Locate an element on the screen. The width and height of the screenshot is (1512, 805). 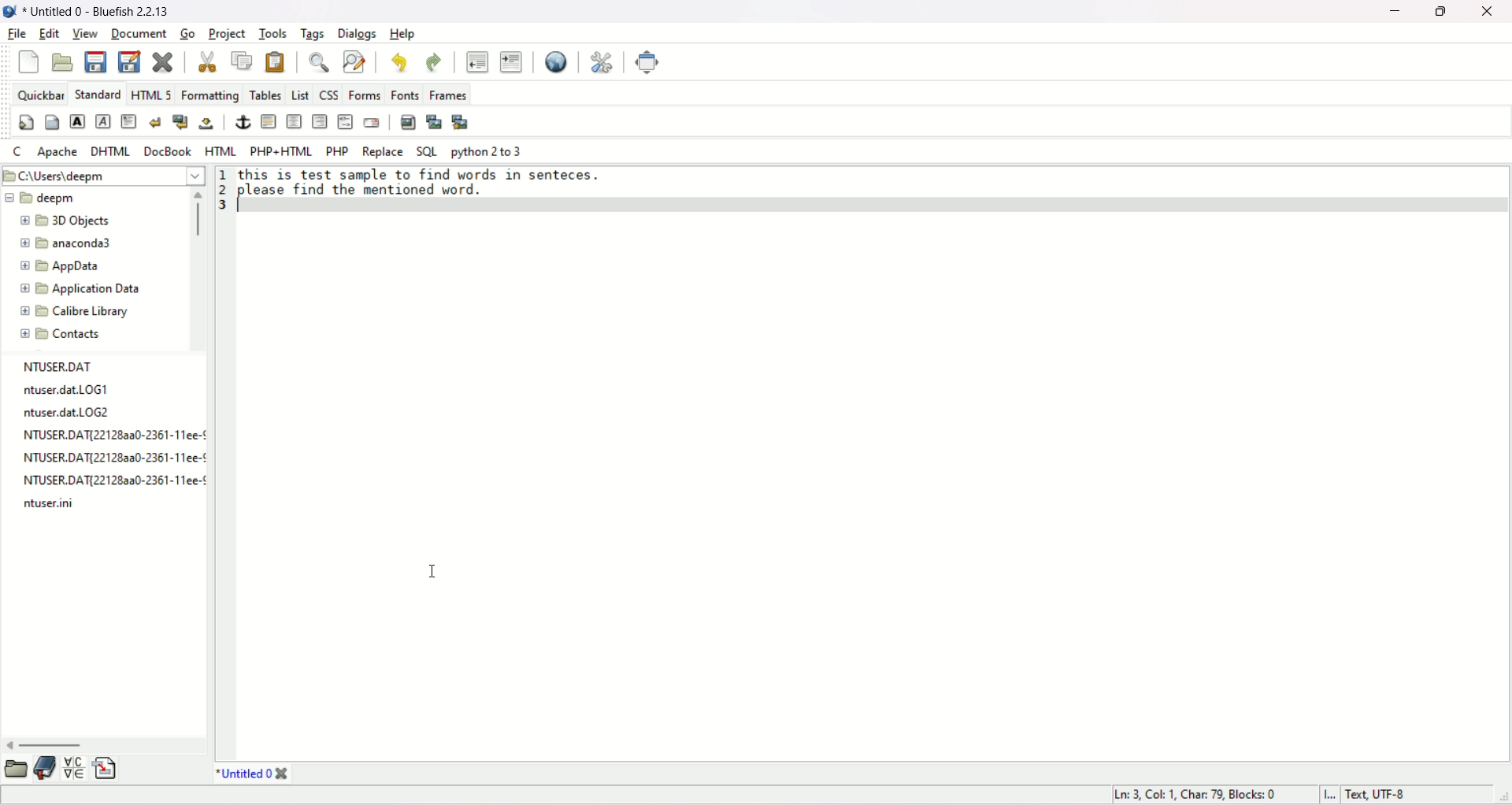
frames is located at coordinates (450, 95).